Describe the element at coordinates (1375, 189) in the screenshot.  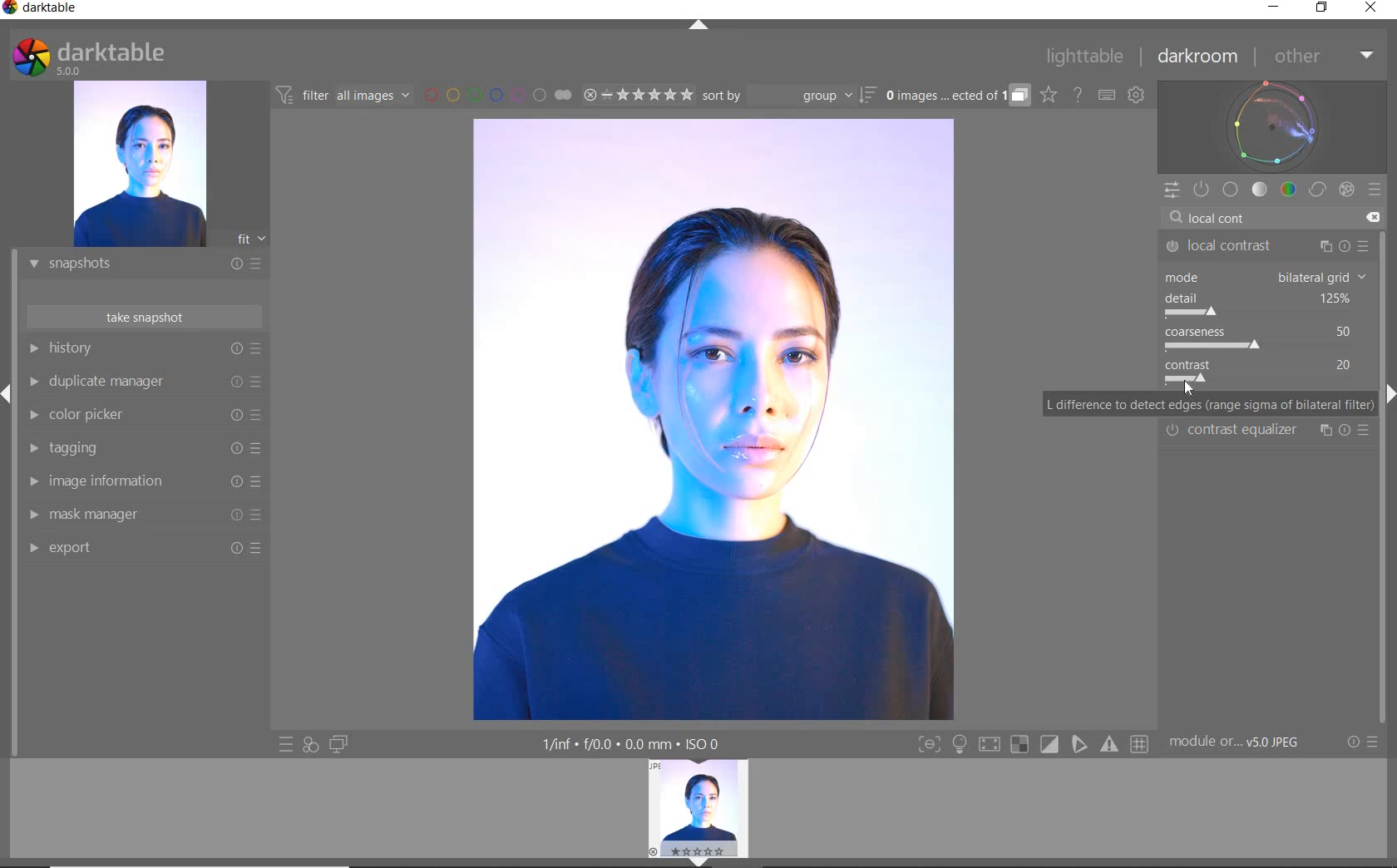
I see `PRESETS` at that location.